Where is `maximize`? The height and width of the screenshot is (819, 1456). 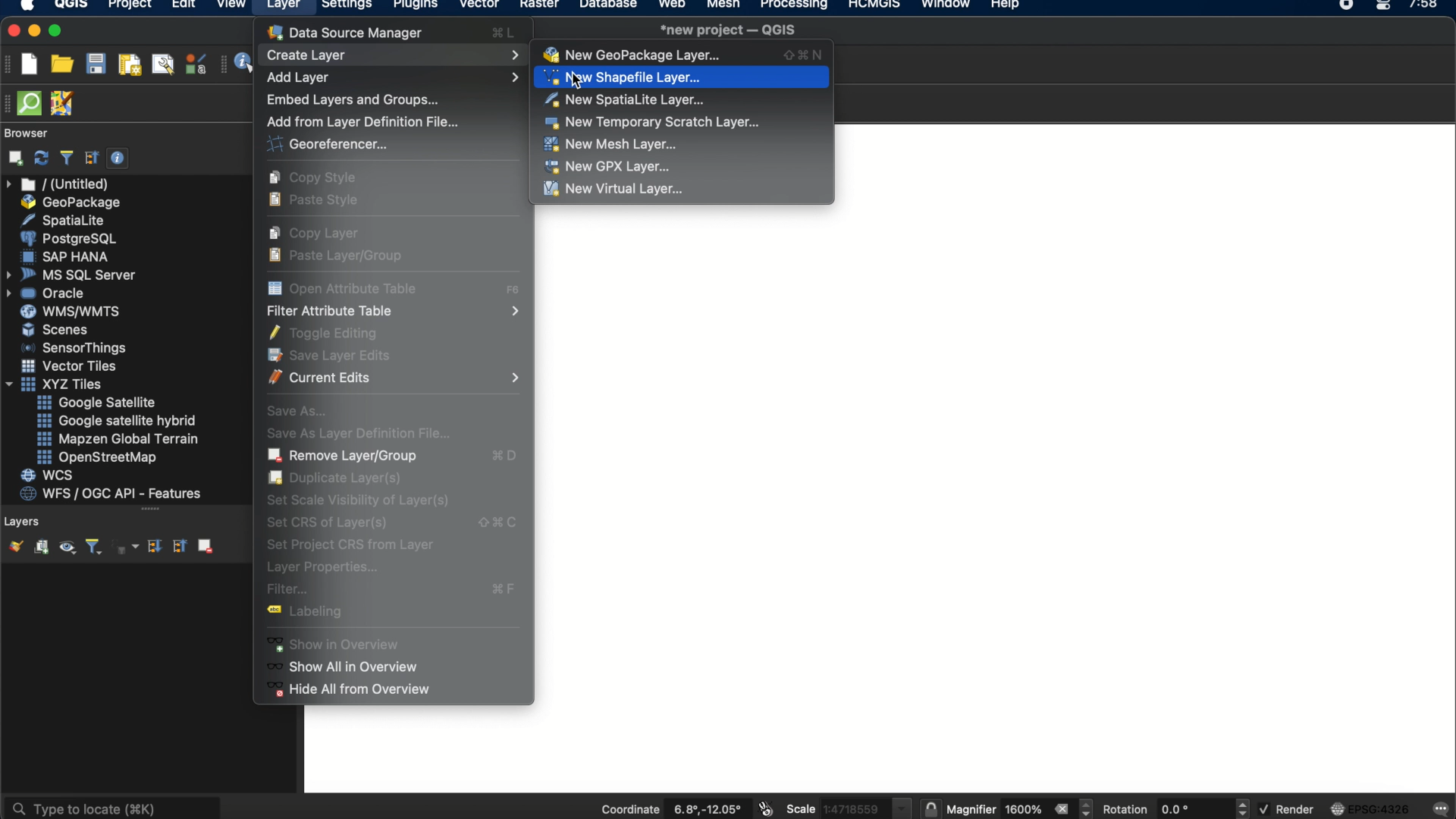 maximize is located at coordinates (56, 32).